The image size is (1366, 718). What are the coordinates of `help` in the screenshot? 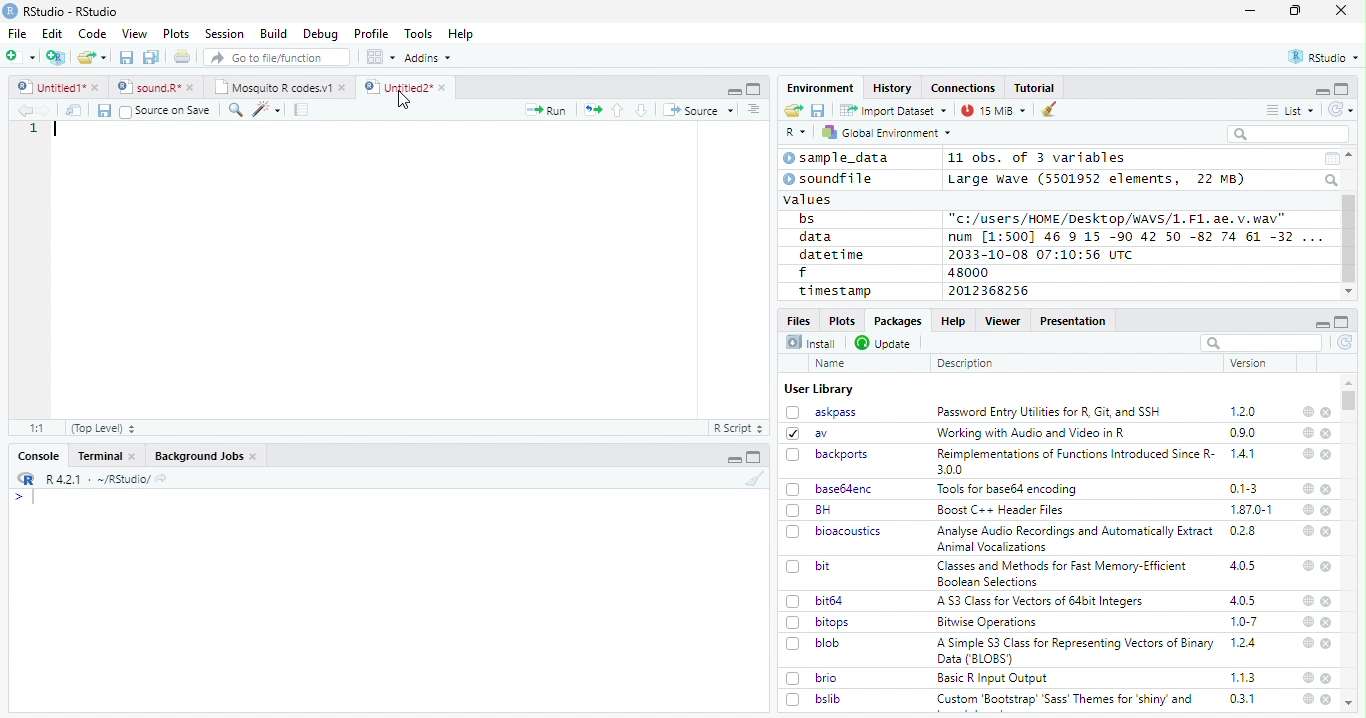 It's located at (1308, 489).